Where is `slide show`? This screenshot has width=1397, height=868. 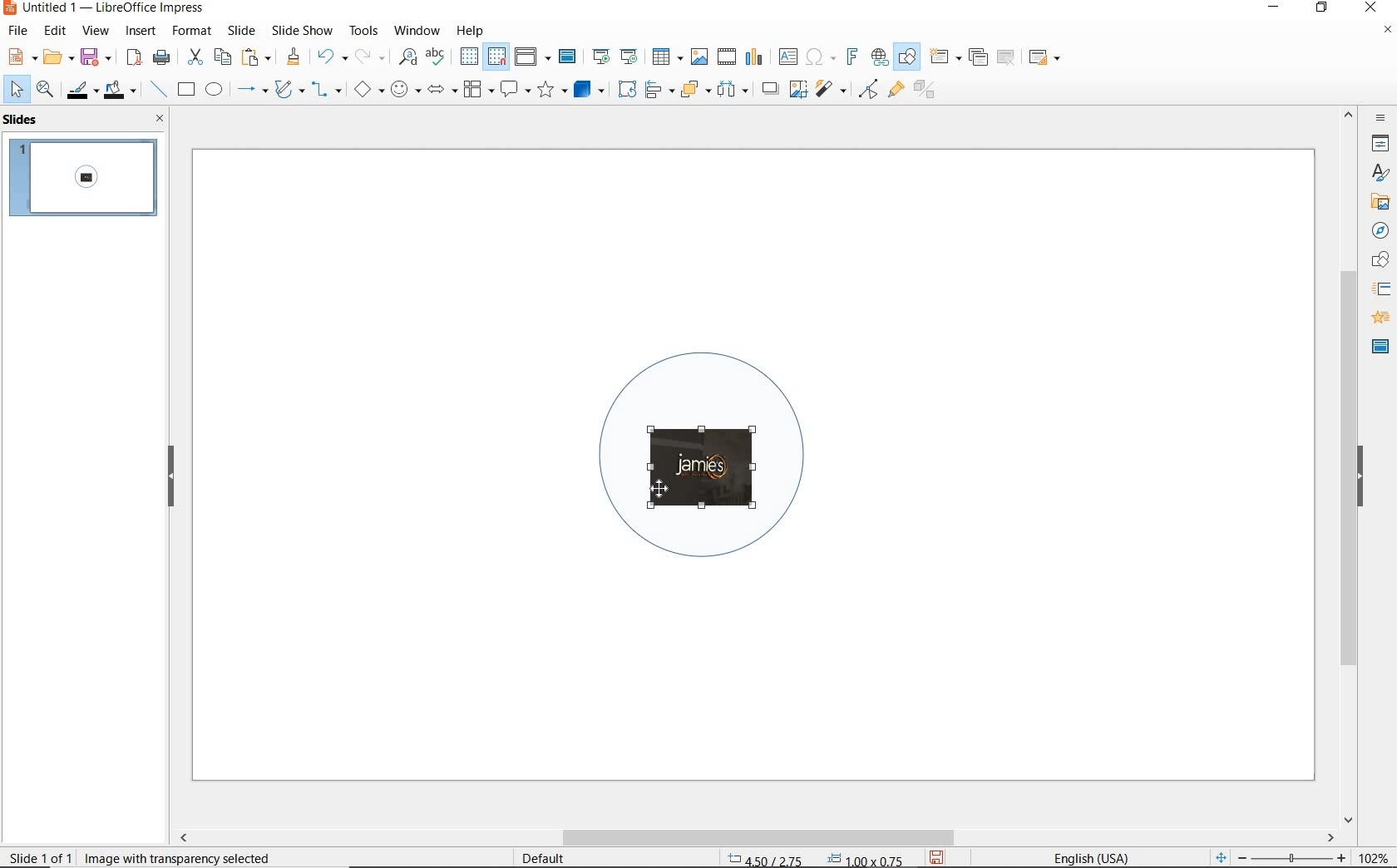 slide show is located at coordinates (301, 30).